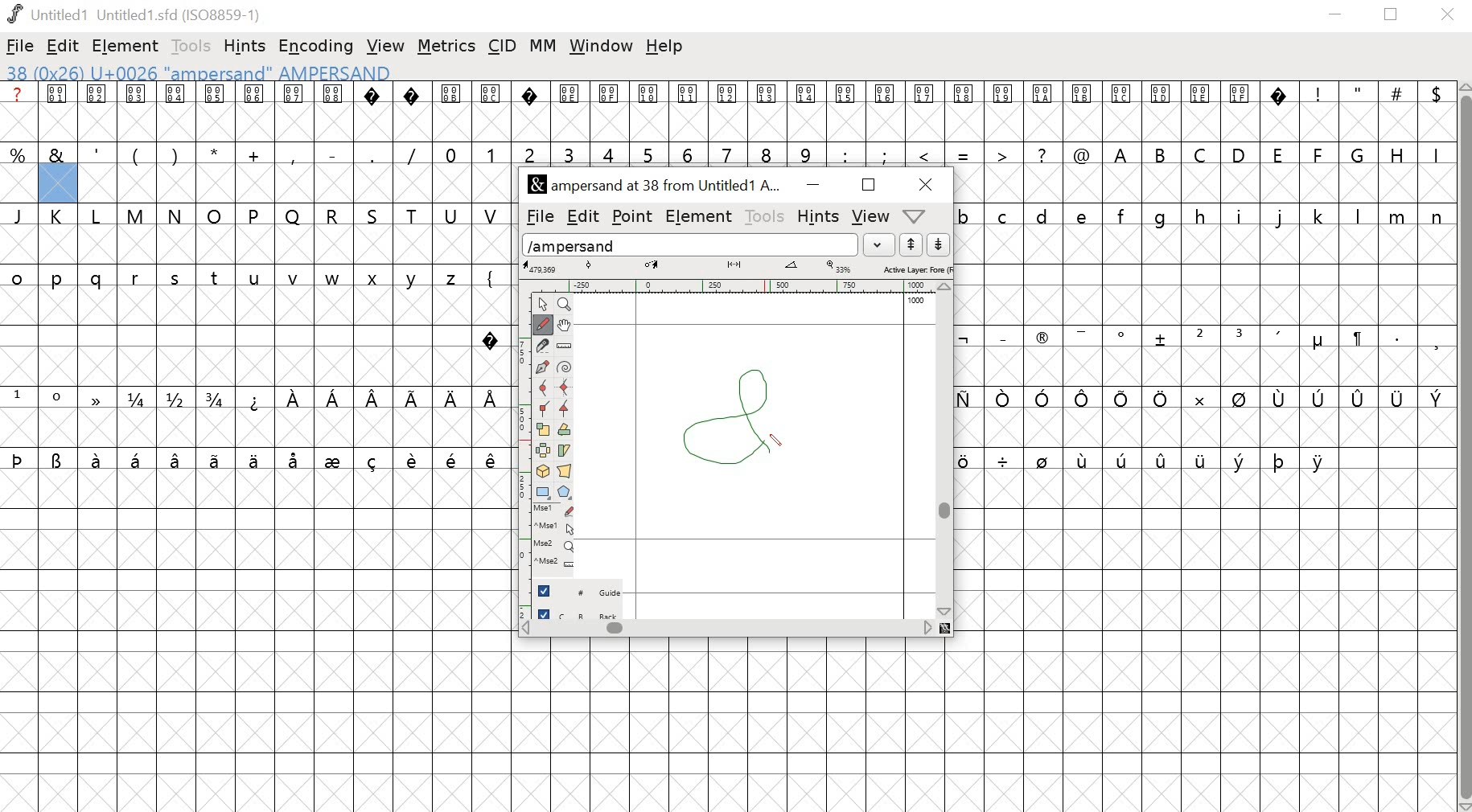 This screenshot has width=1472, height=812. Describe the element at coordinates (650, 109) in the screenshot. I see `0010` at that location.